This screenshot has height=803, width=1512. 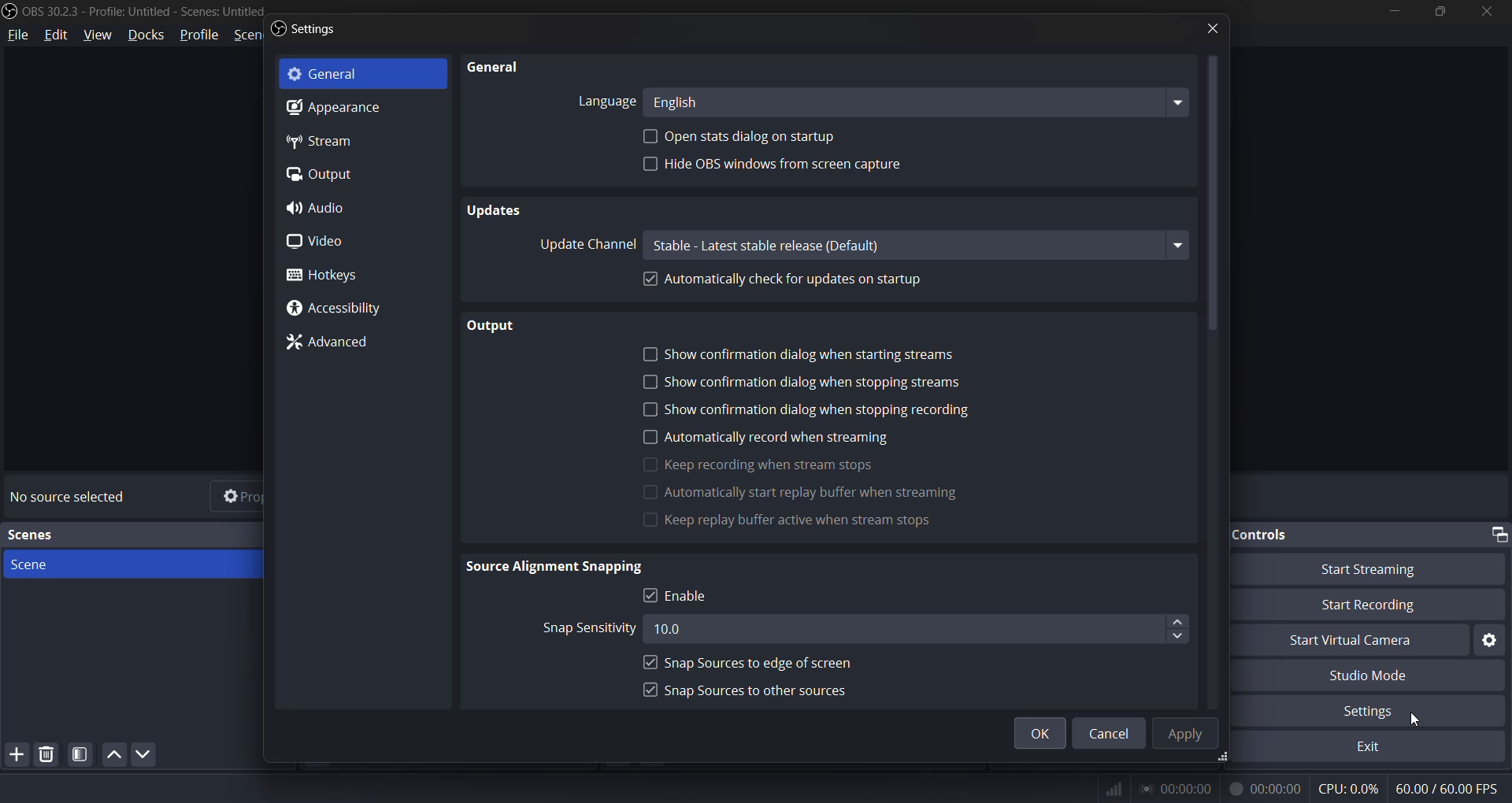 I want to click on cursor, so click(x=1415, y=719).